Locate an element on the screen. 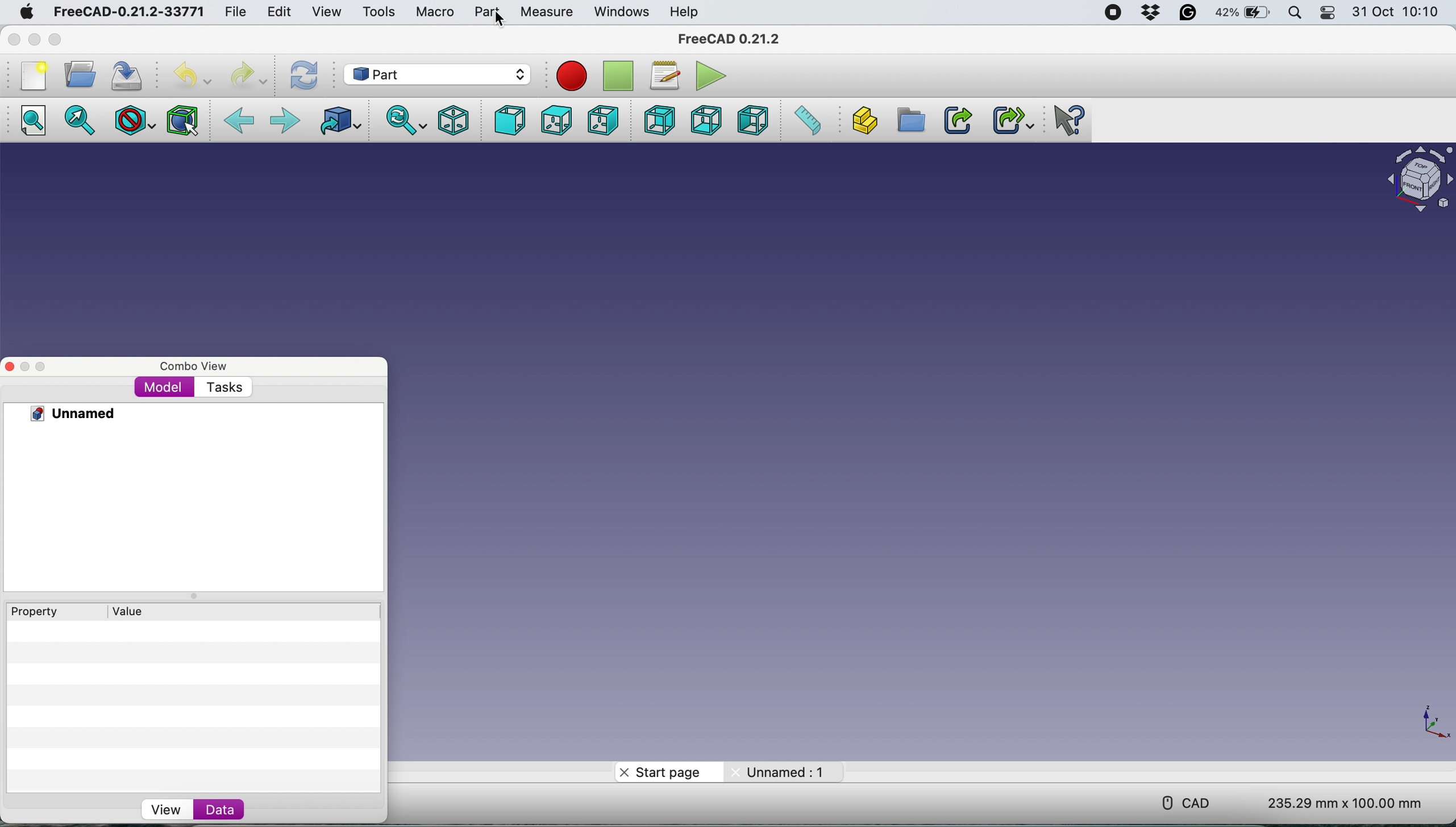  Measure distance is located at coordinates (806, 122).